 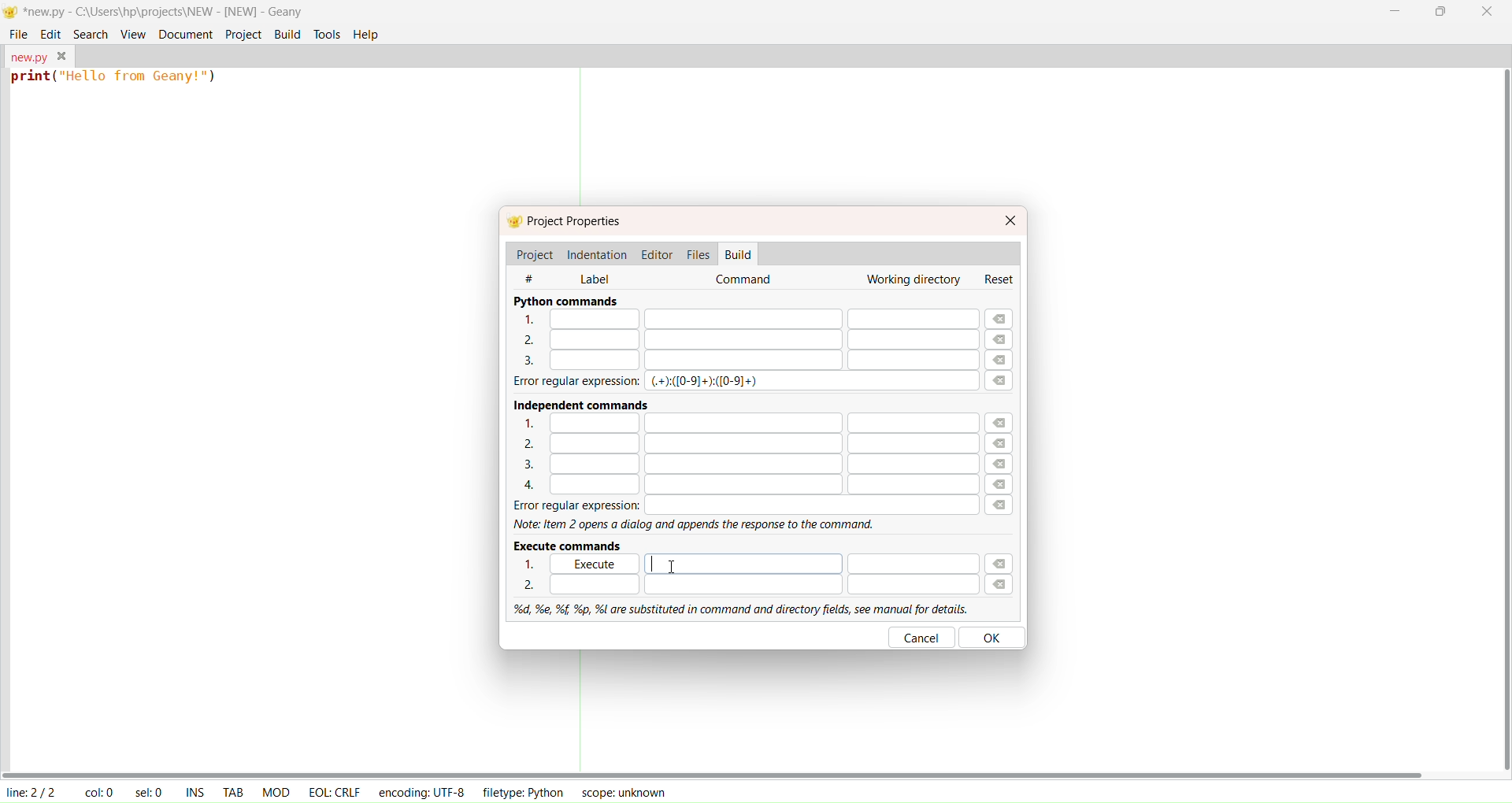 I want to click on file, so click(x=19, y=34).